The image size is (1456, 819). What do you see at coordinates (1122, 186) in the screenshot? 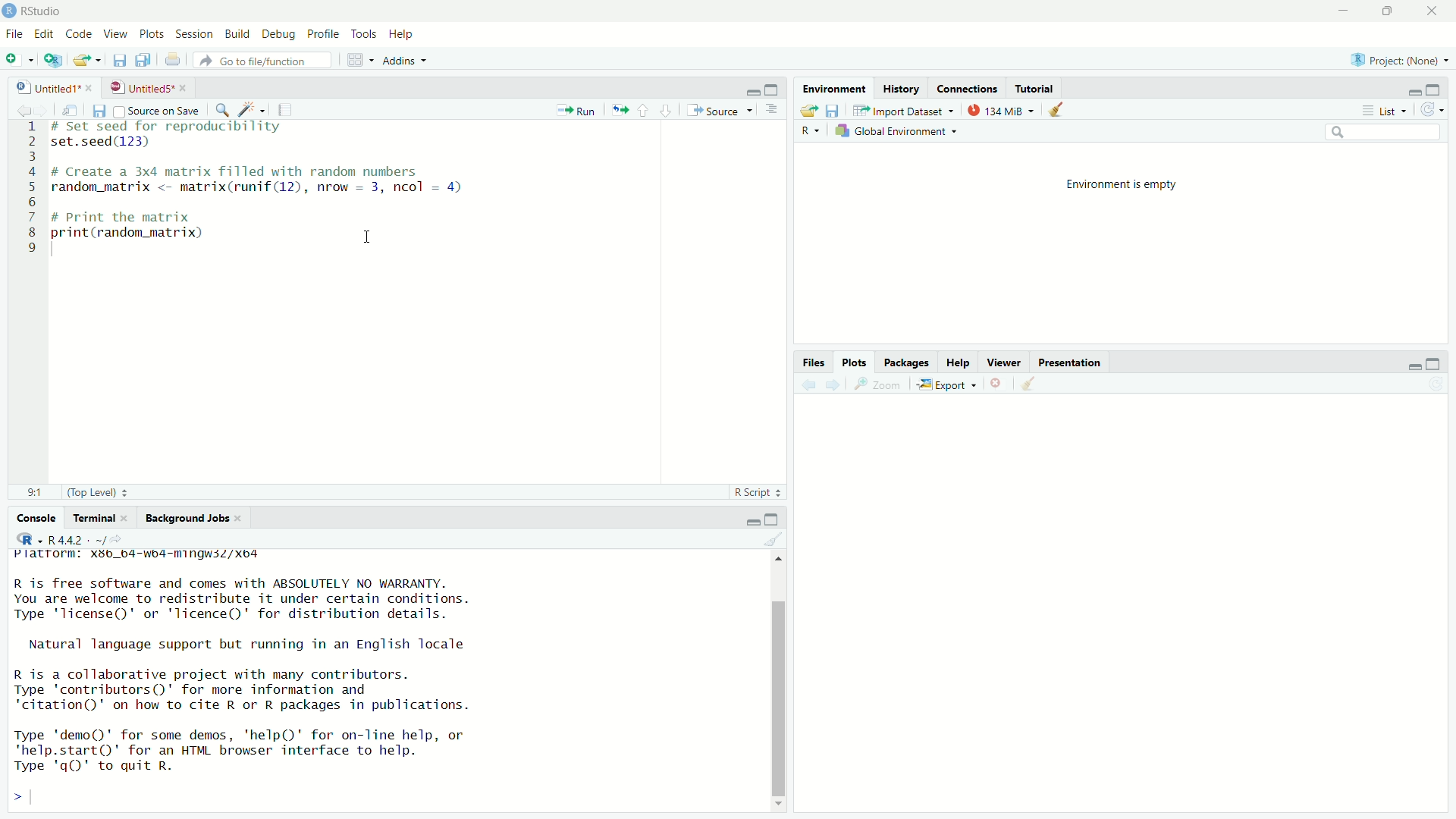
I see `Environment is empty` at bounding box center [1122, 186].